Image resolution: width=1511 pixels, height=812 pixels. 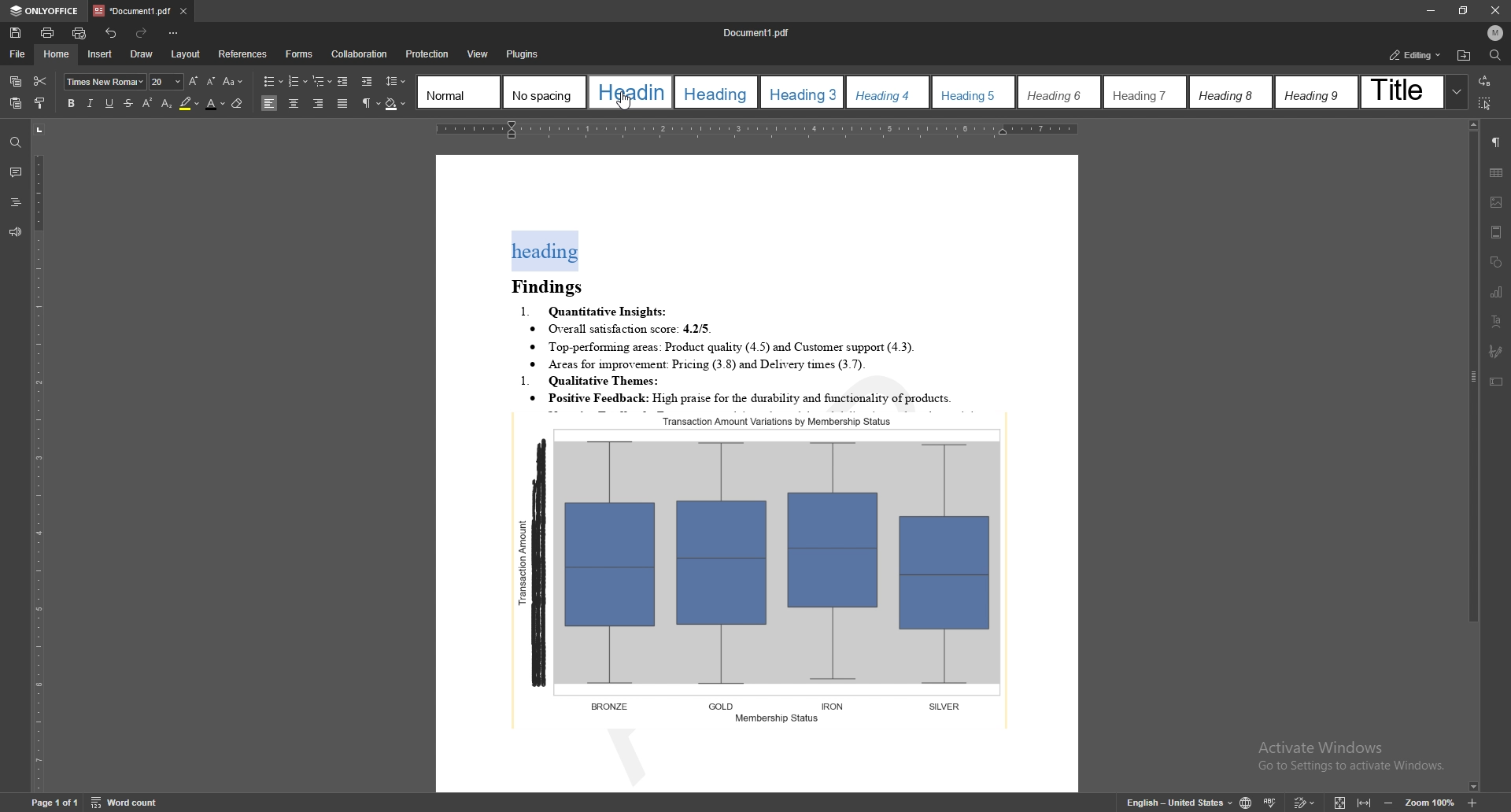 What do you see at coordinates (141, 53) in the screenshot?
I see `draw` at bounding box center [141, 53].